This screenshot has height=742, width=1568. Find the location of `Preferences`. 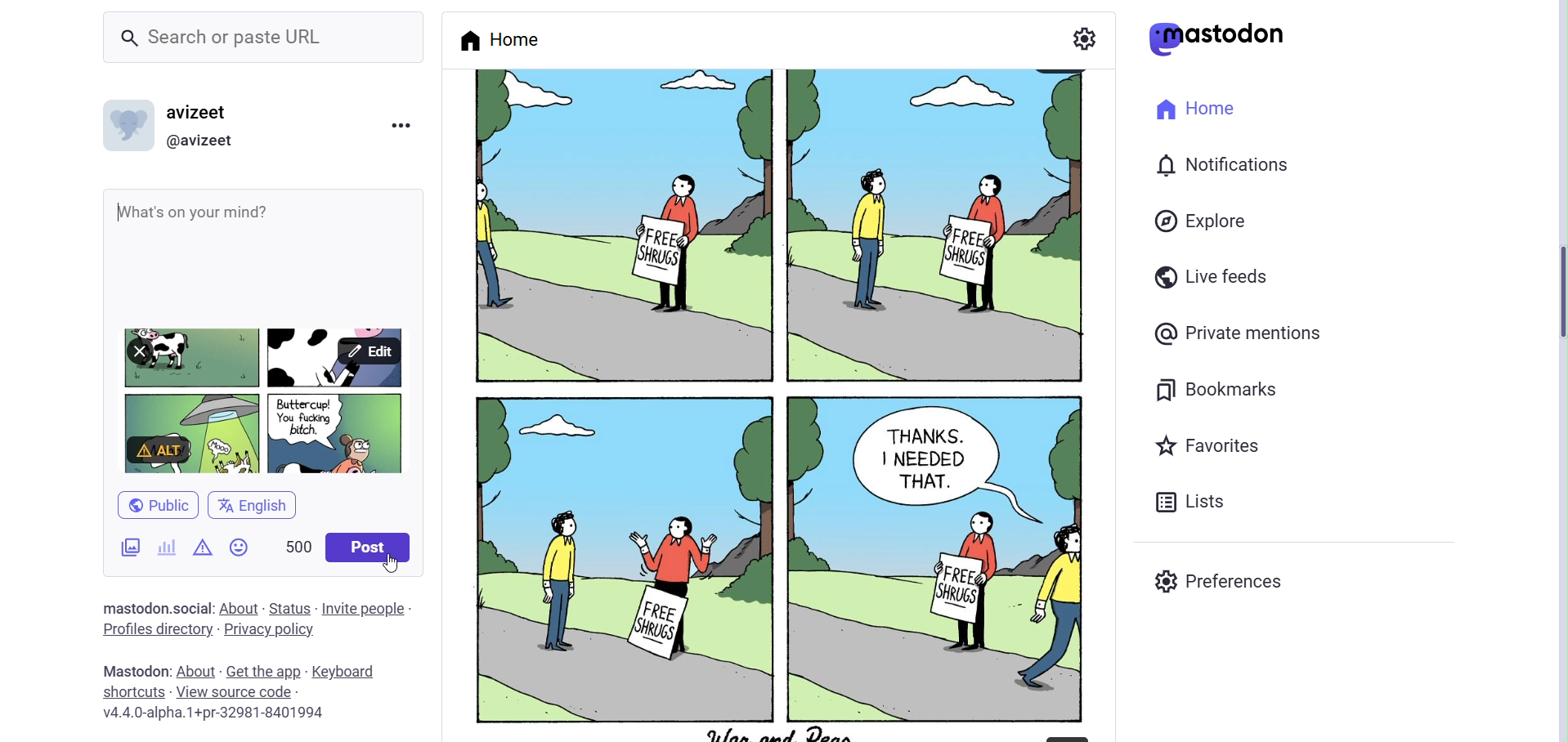

Preferences is located at coordinates (1224, 579).